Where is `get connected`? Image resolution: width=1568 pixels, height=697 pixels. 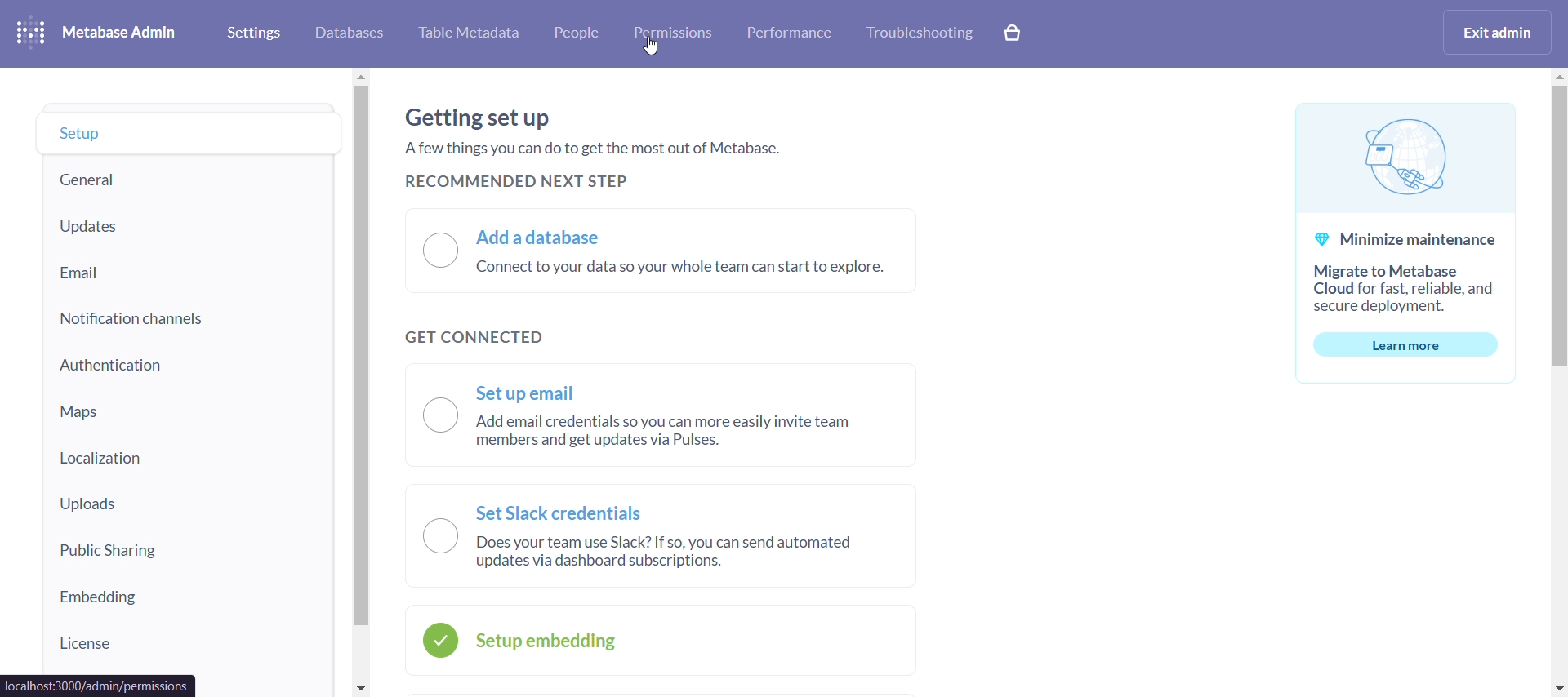 get connected is located at coordinates (481, 335).